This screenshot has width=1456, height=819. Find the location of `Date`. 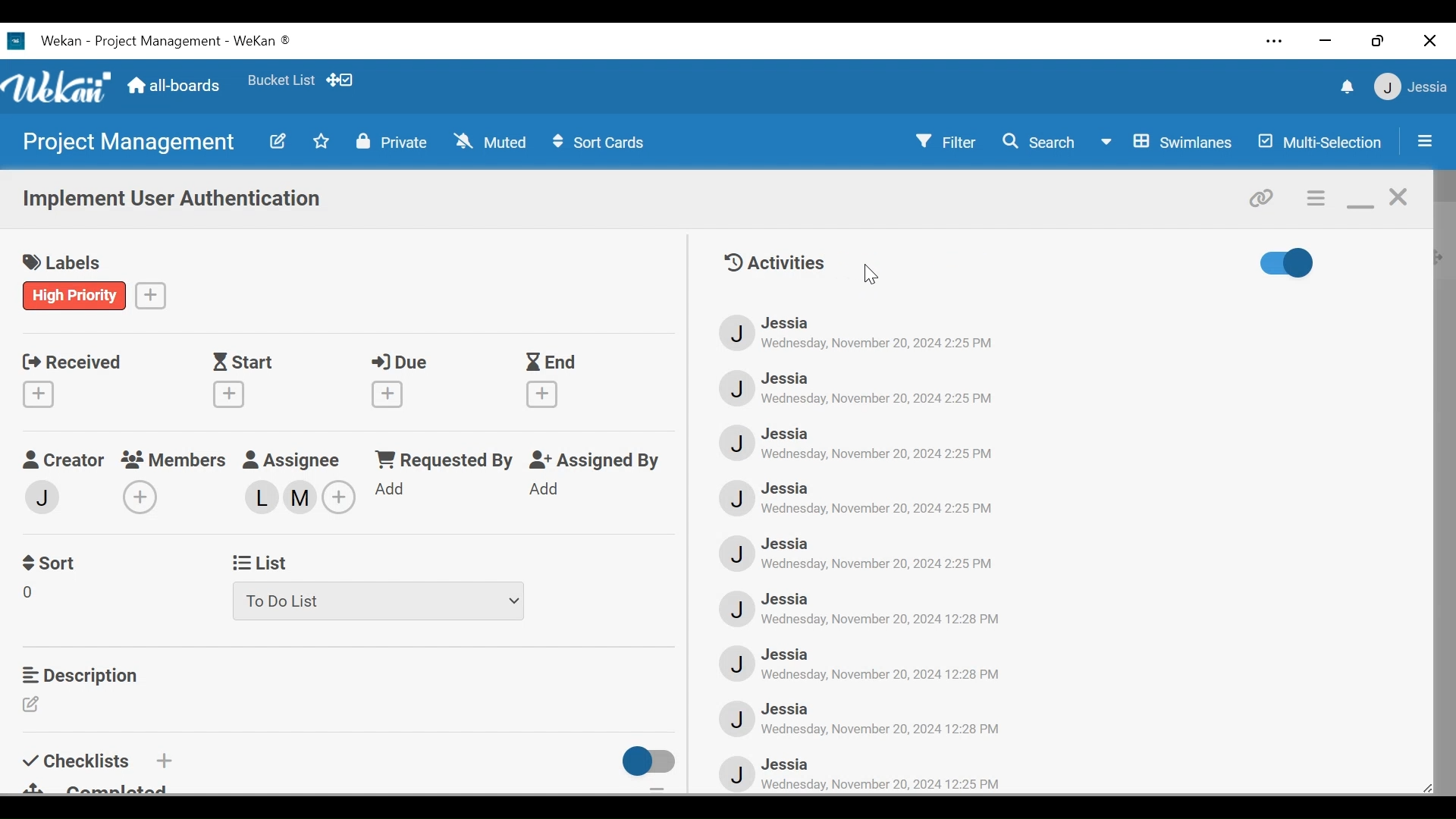

Date is located at coordinates (884, 455).